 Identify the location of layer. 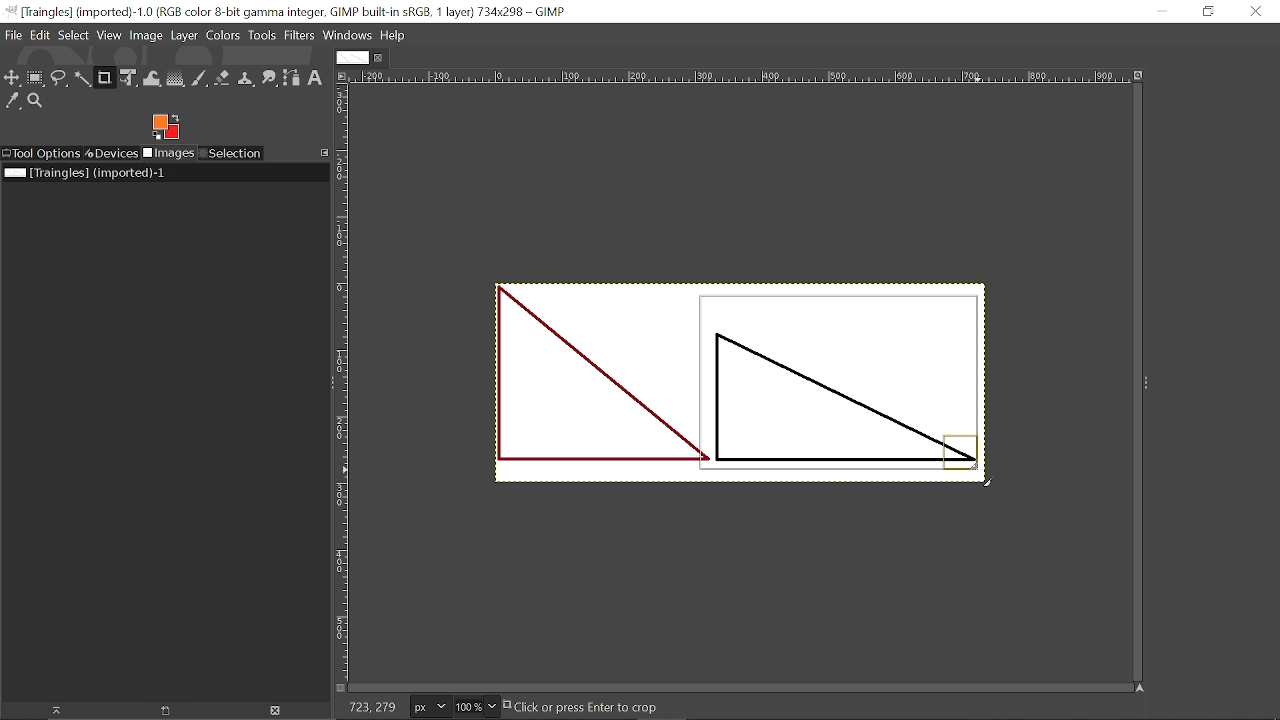
(184, 37).